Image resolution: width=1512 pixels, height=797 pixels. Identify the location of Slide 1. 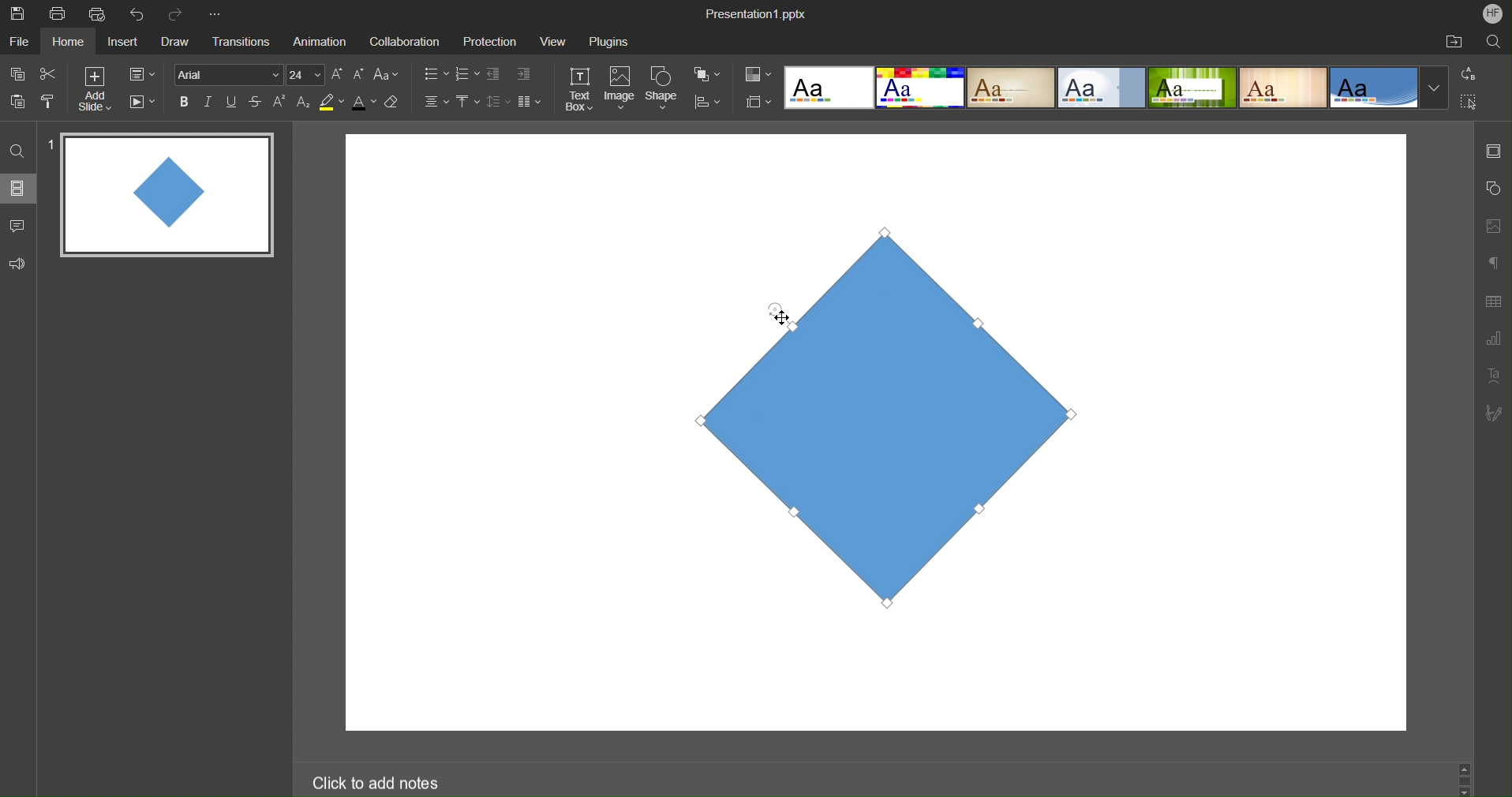
(164, 196).